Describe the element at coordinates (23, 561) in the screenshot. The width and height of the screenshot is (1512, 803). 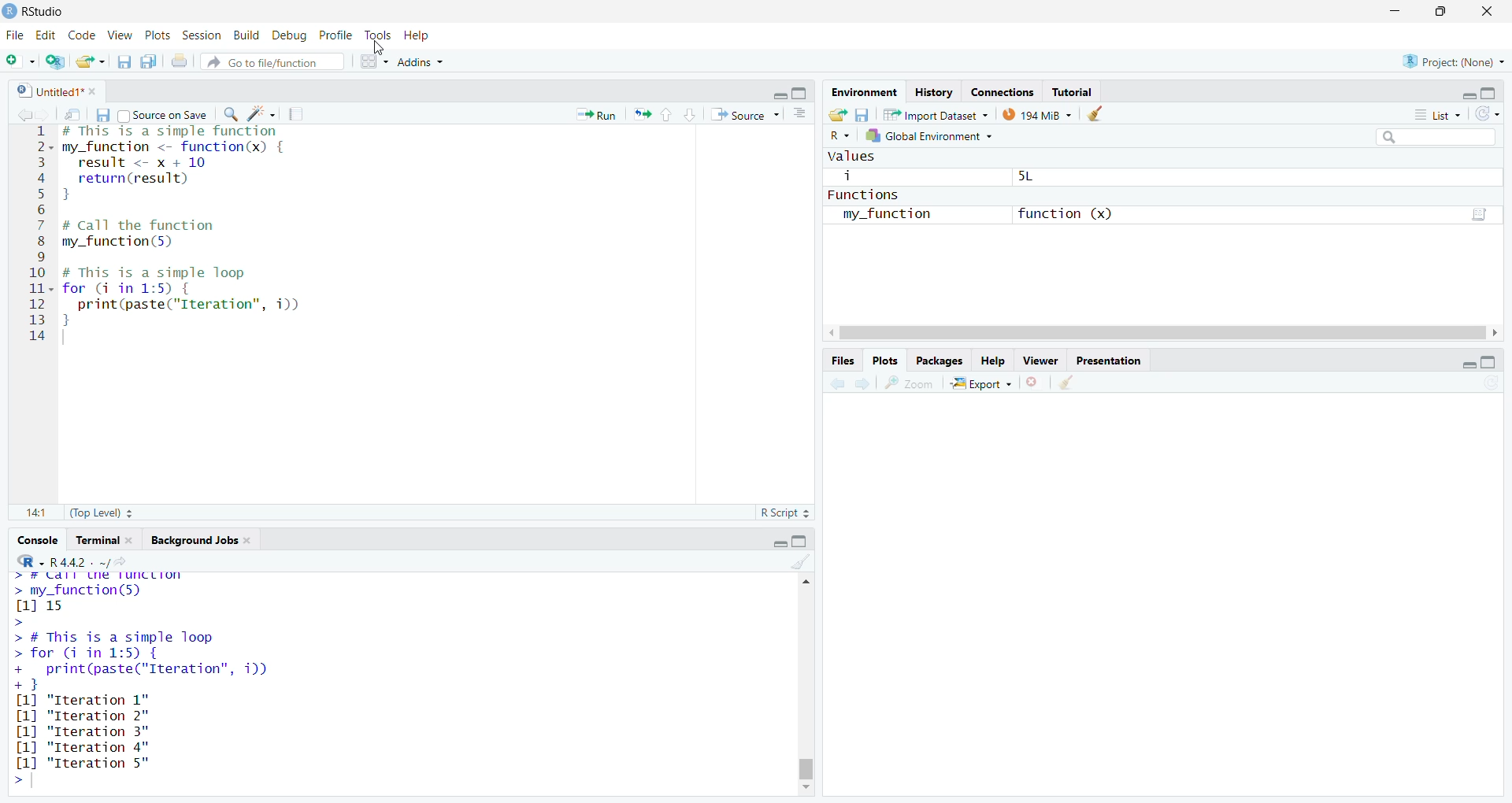
I see `language select` at that location.